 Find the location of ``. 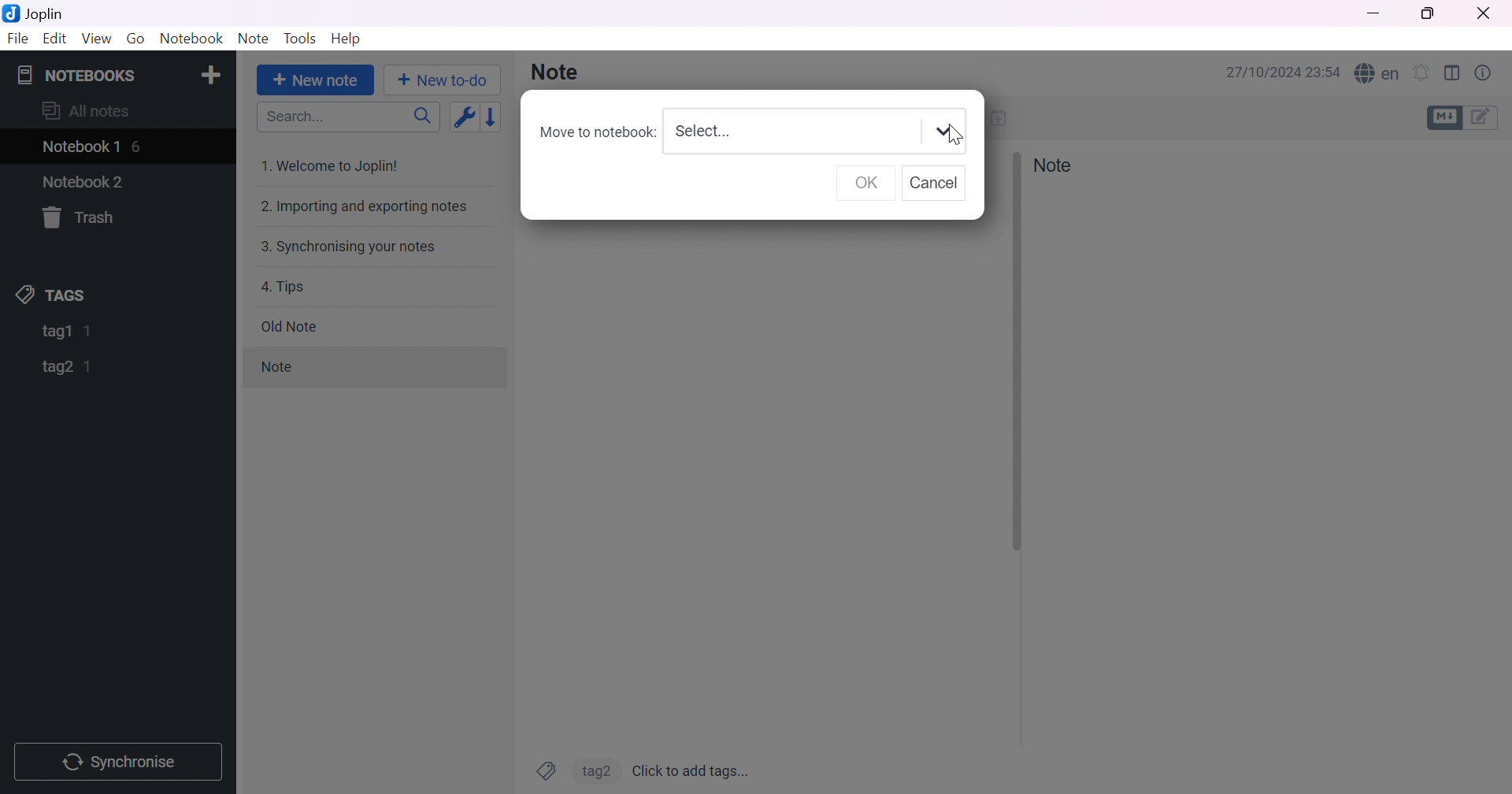

 is located at coordinates (1015, 351).